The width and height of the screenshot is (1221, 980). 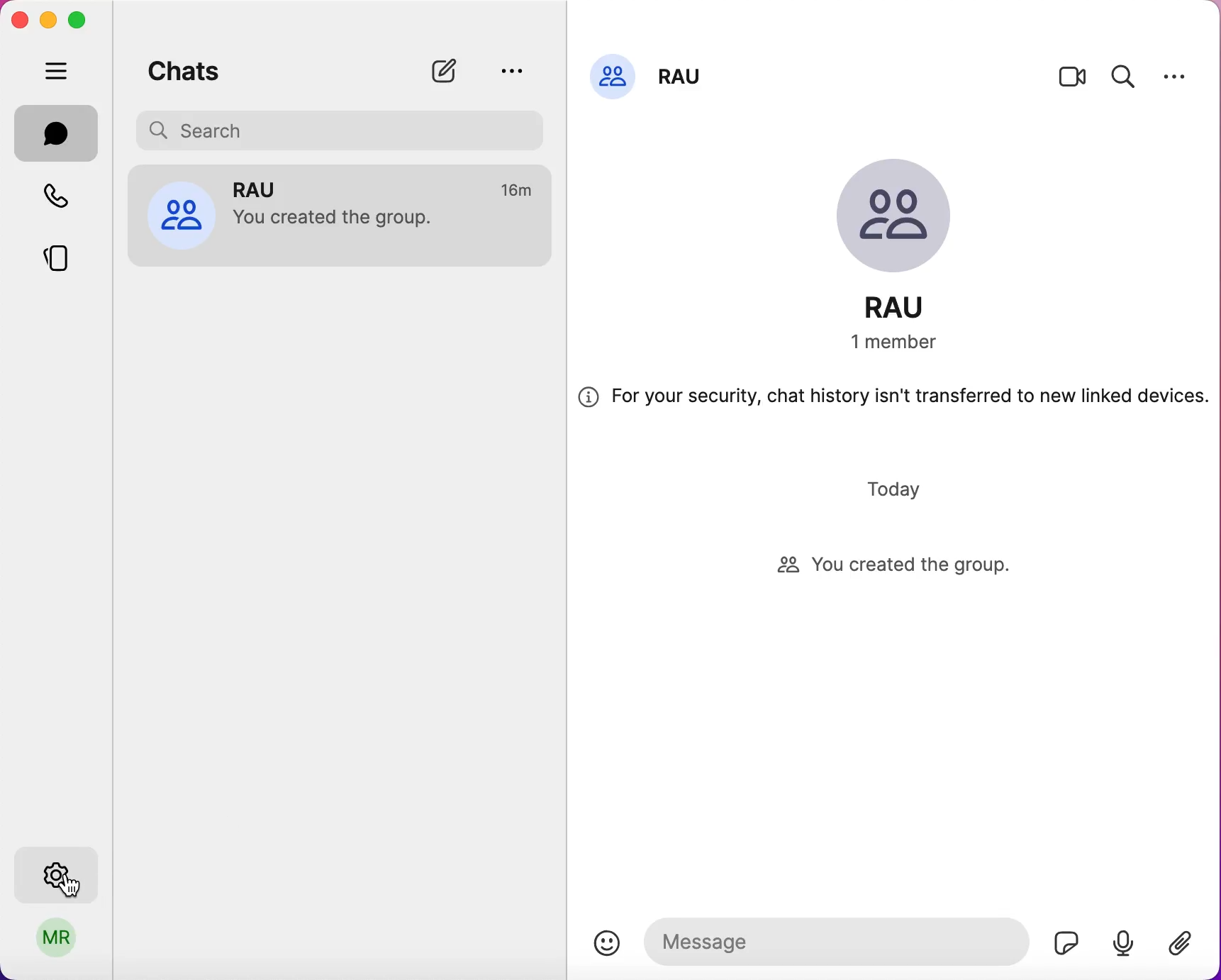 I want to click on maximize, so click(x=82, y=21).